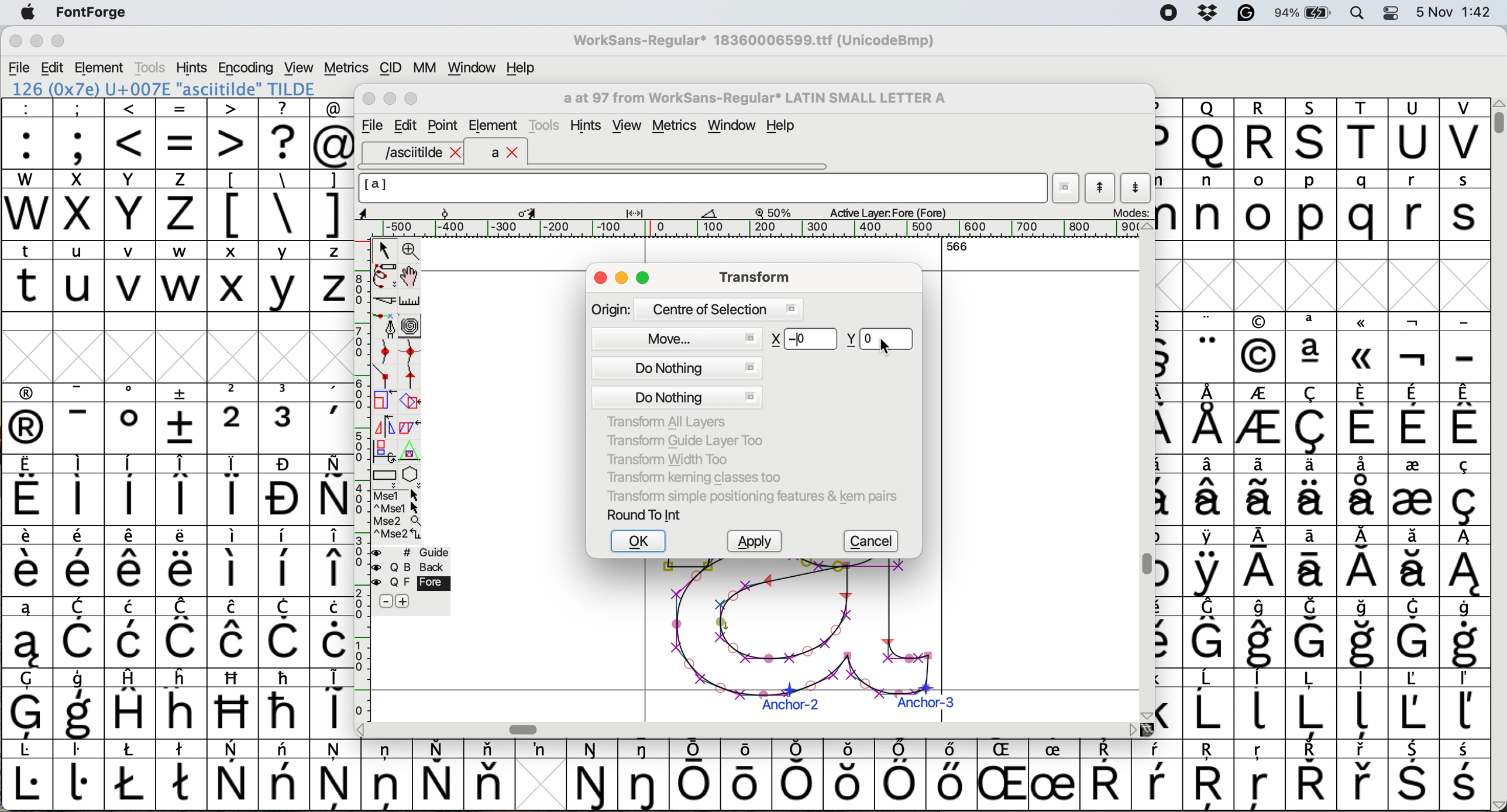 The height and width of the screenshot is (812, 1507). Describe the element at coordinates (1365, 206) in the screenshot. I see `q` at that location.